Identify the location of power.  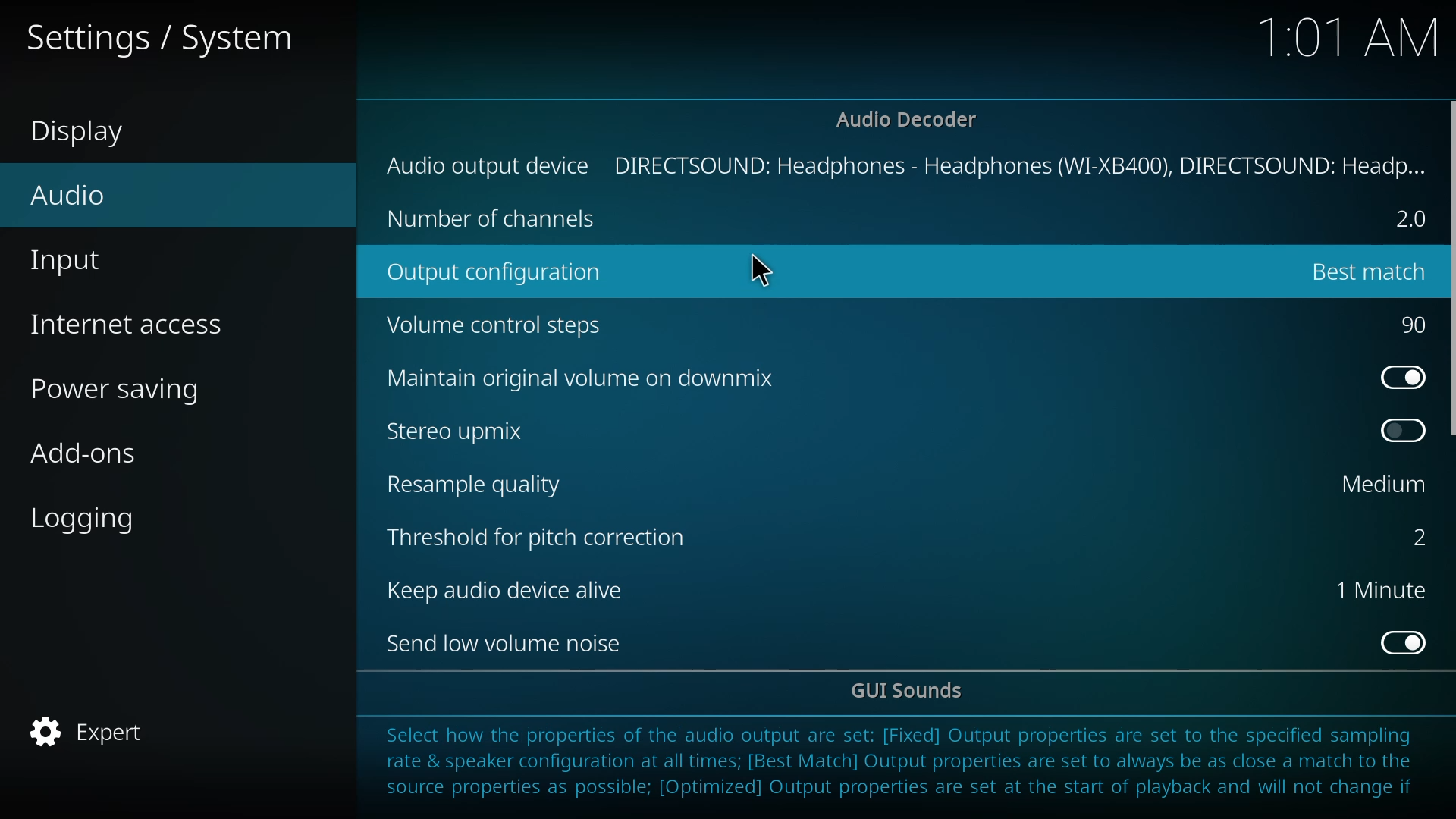
(128, 385).